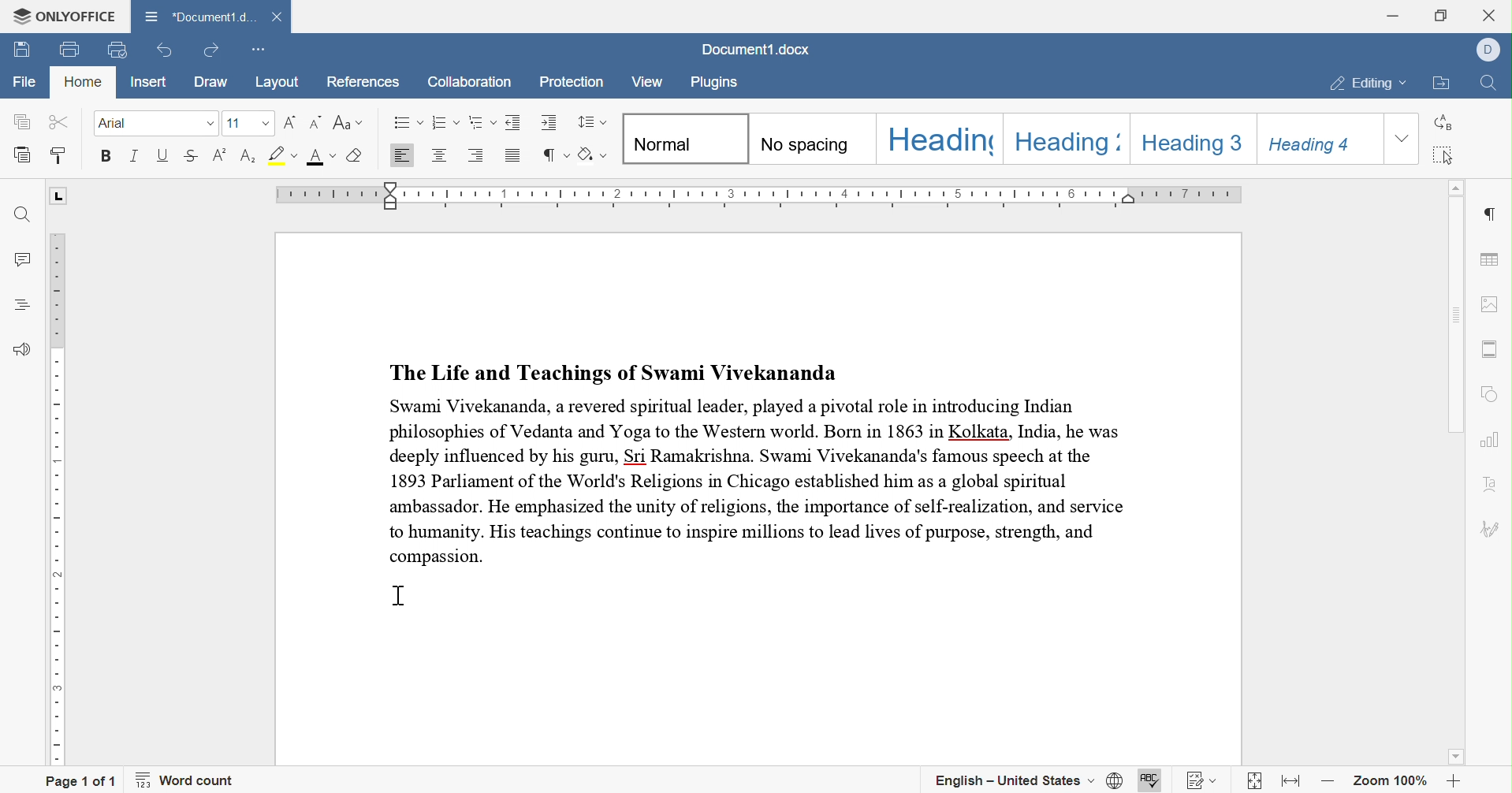 The width and height of the screenshot is (1512, 793). I want to click on L, so click(61, 197).